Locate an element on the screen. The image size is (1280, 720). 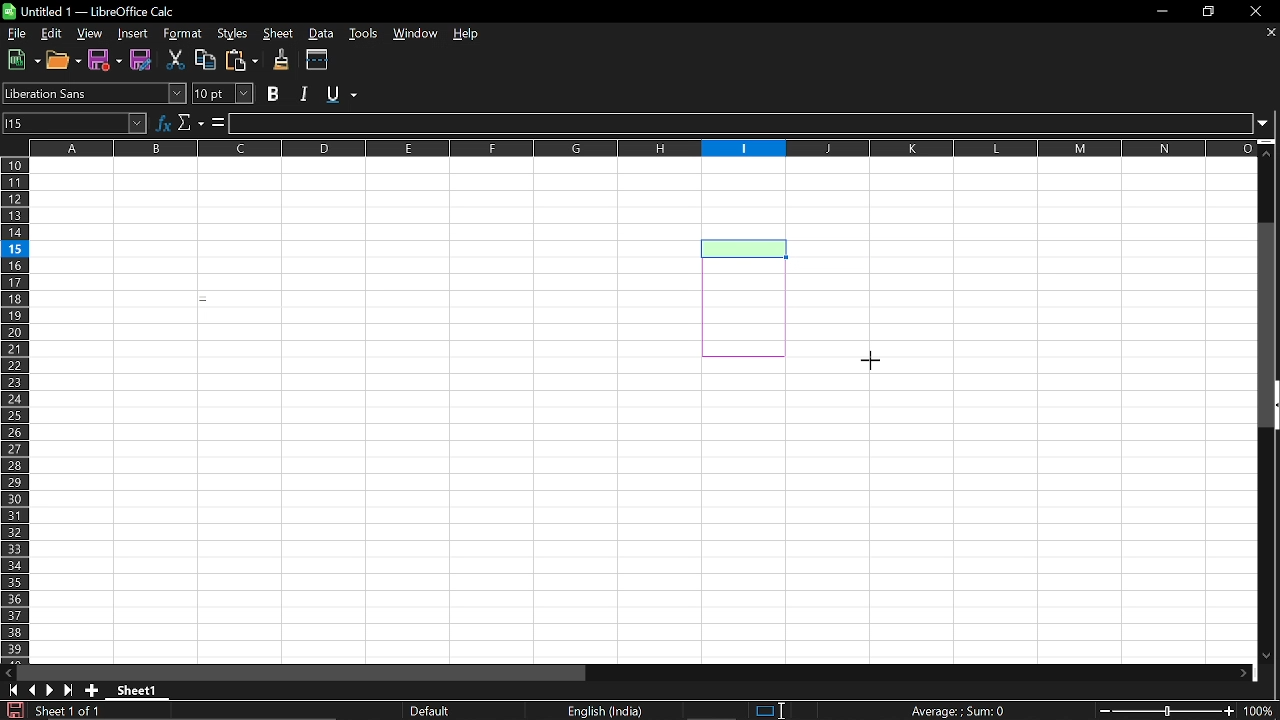
Insert is located at coordinates (134, 33).